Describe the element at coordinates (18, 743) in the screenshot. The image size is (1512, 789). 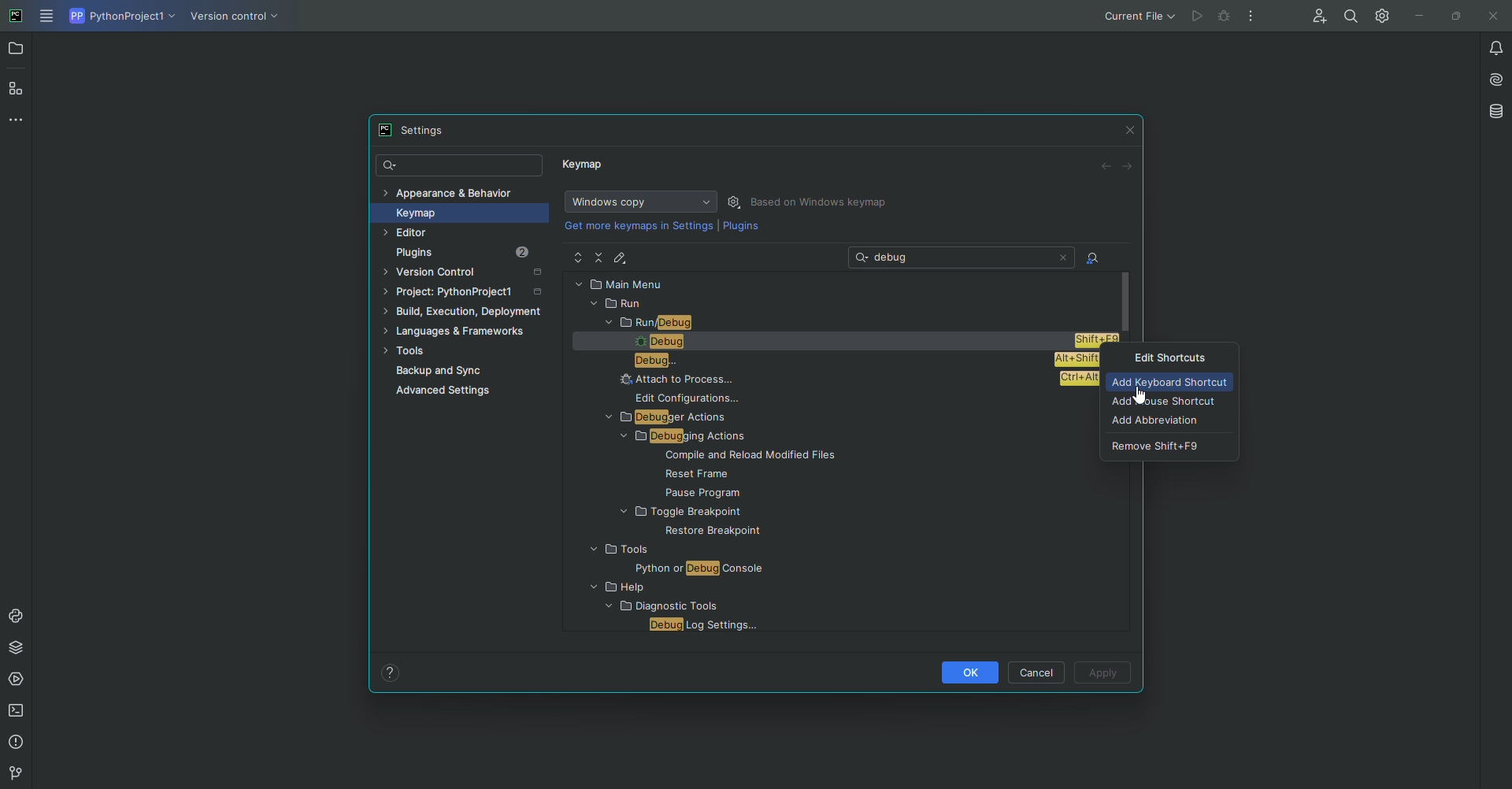
I see `Problems` at that location.